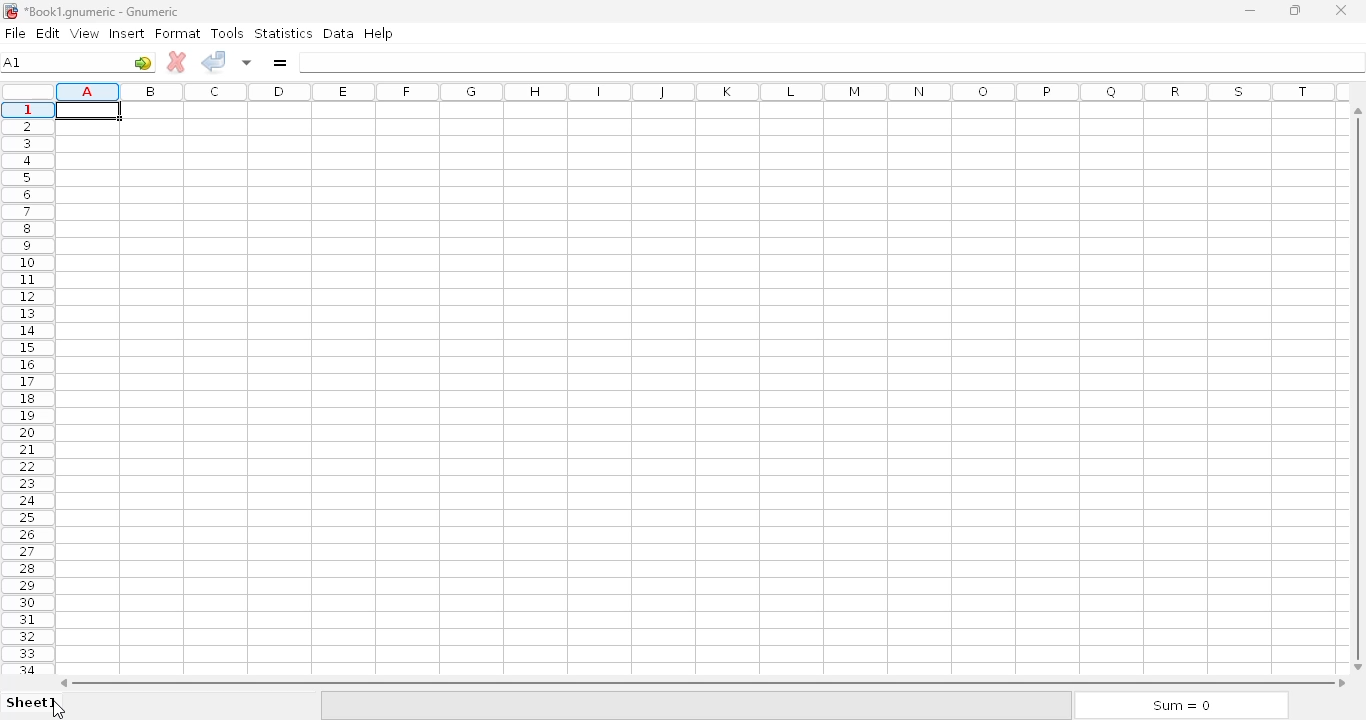  I want to click on columns, so click(703, 91).